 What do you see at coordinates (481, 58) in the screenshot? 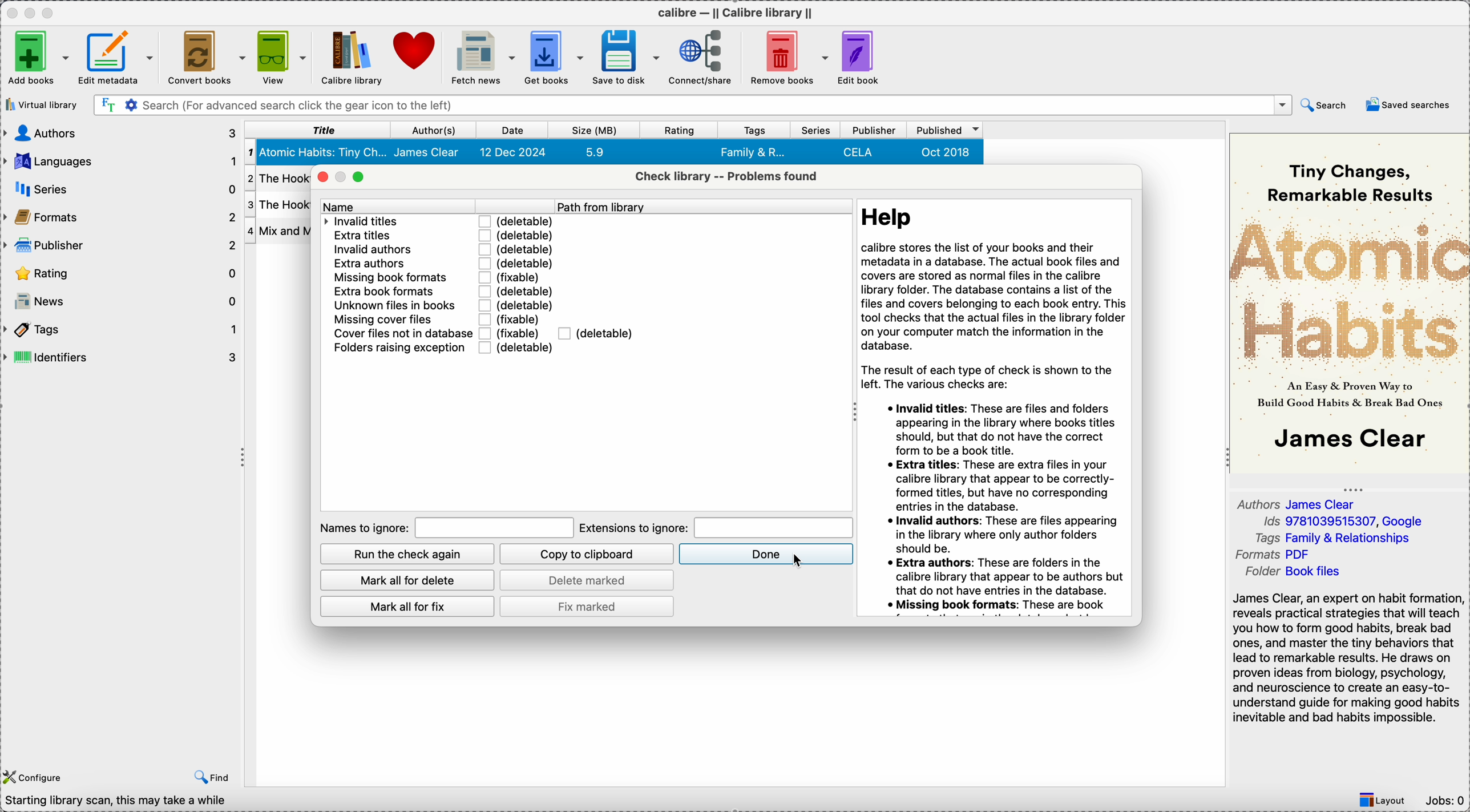
I see `fetch news` at bounding box center [481, 58].